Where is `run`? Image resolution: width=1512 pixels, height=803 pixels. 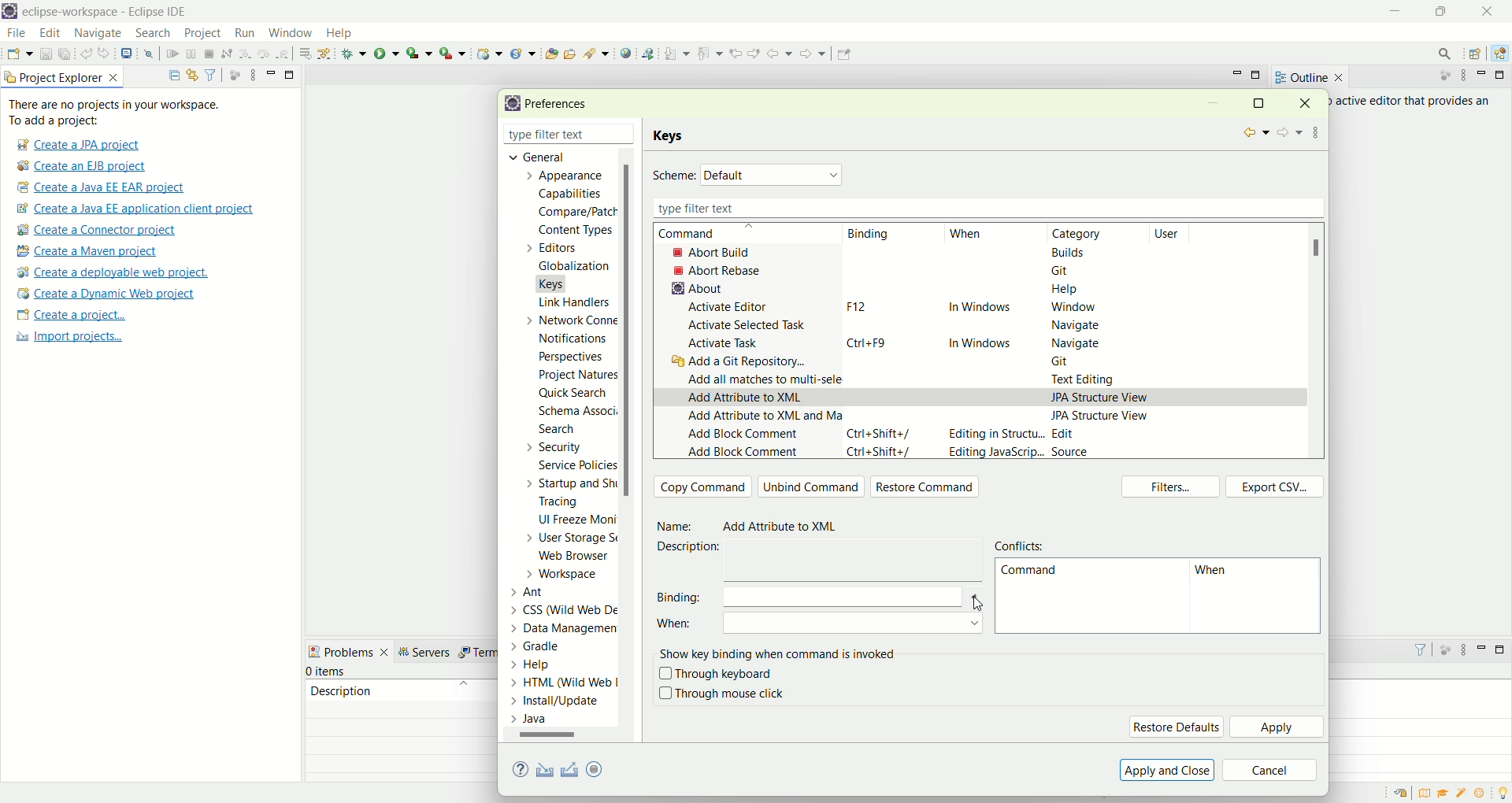
run is located at coordinates (243, 32).